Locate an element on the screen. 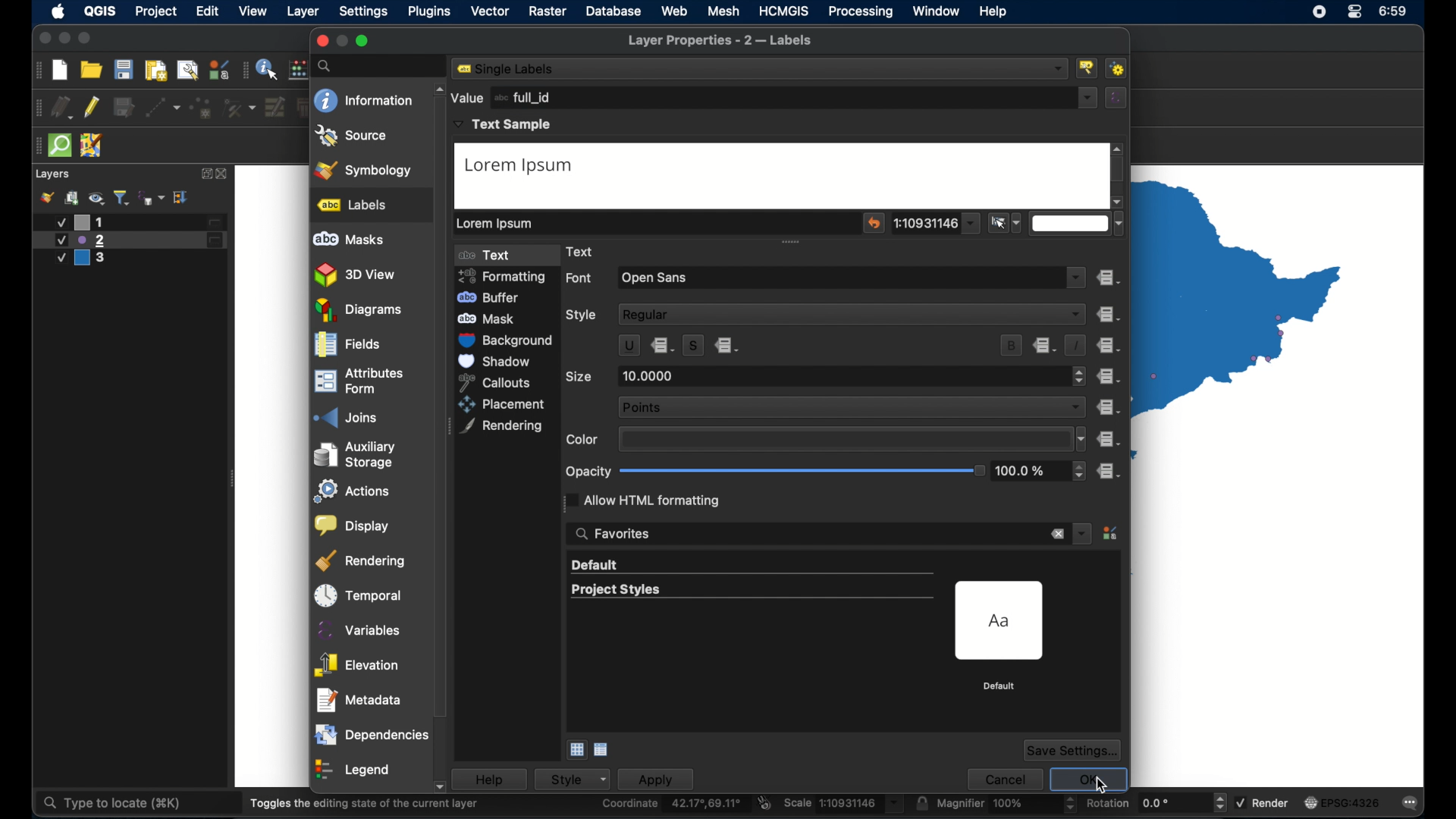  expression builder is located at coordinates (1117, 97).